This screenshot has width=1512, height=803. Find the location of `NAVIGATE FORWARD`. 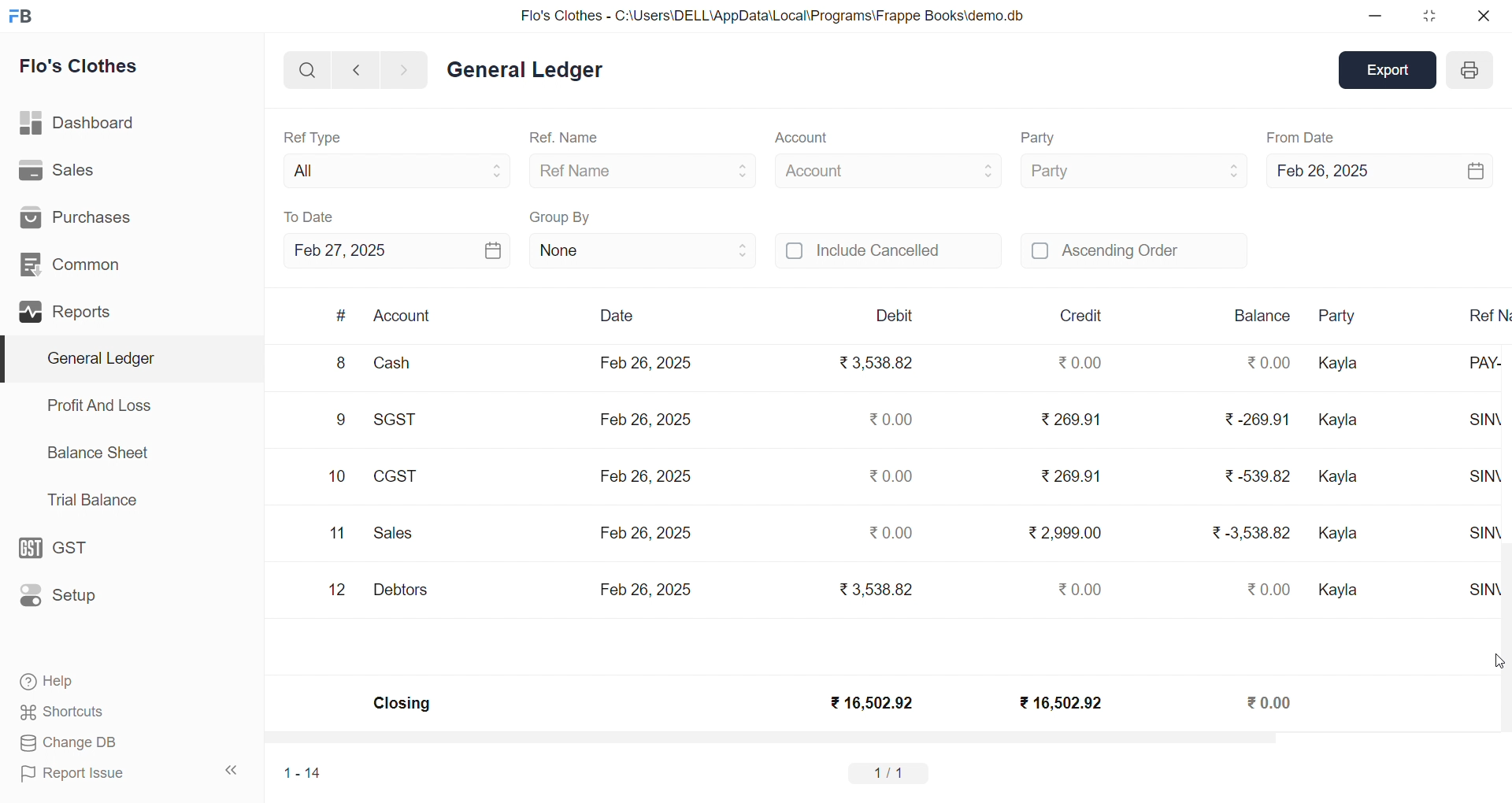

NAVIGATE FORWARD is located at coordinates (410, 68).